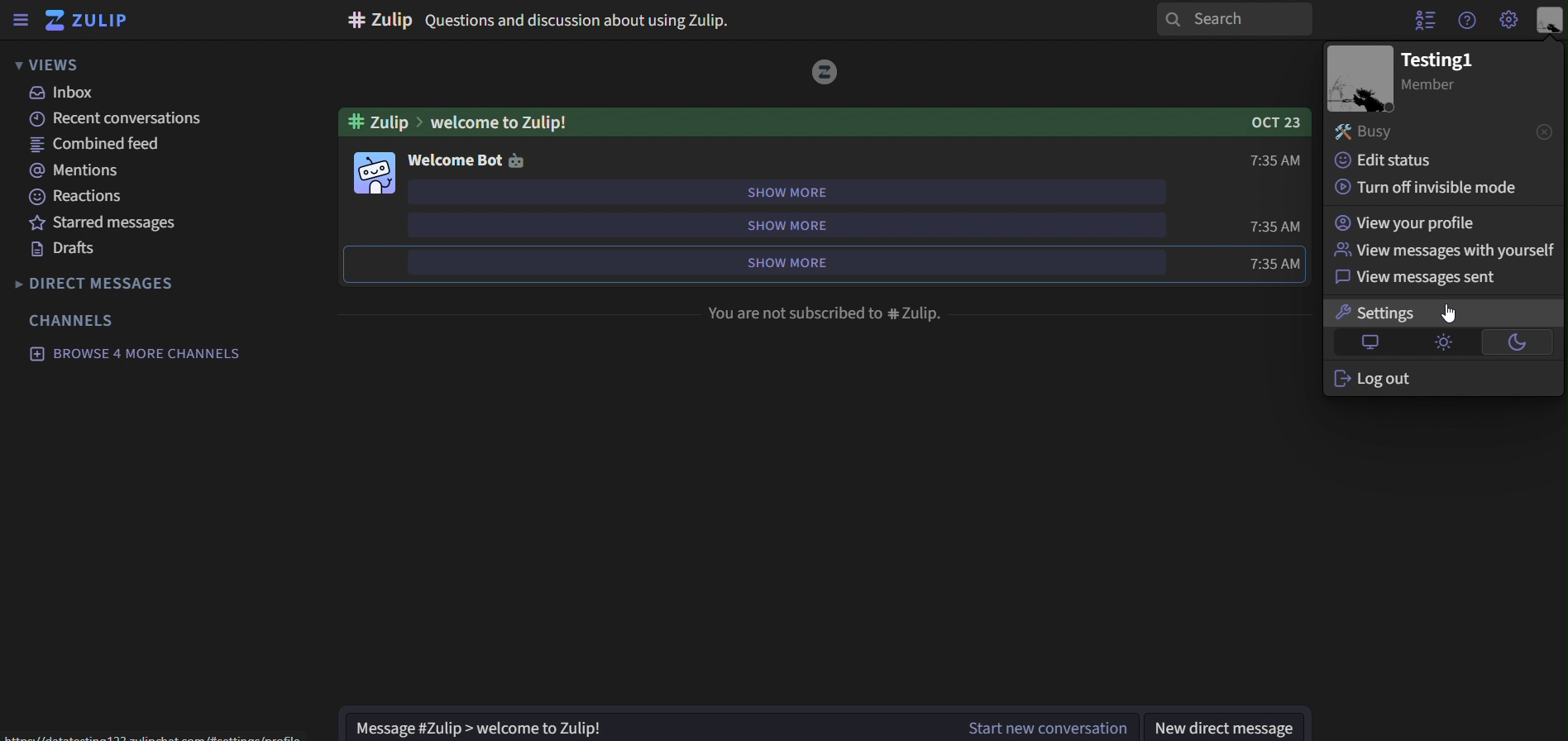  Describe the element at coordinates (1451, 313) in the screenshot. I see `Cursor` at that location.